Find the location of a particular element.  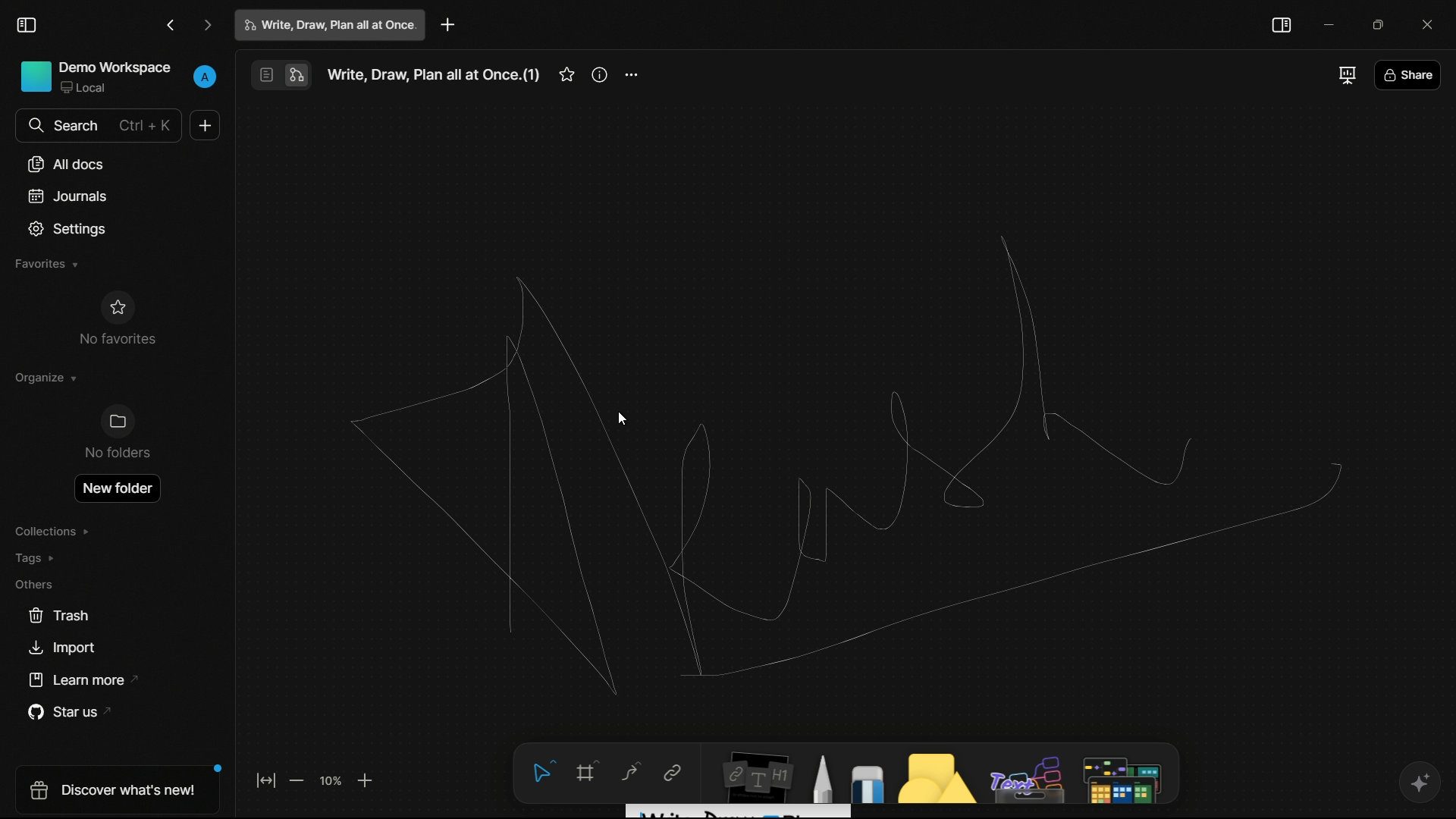

more options is located at coordinates (632, 76).